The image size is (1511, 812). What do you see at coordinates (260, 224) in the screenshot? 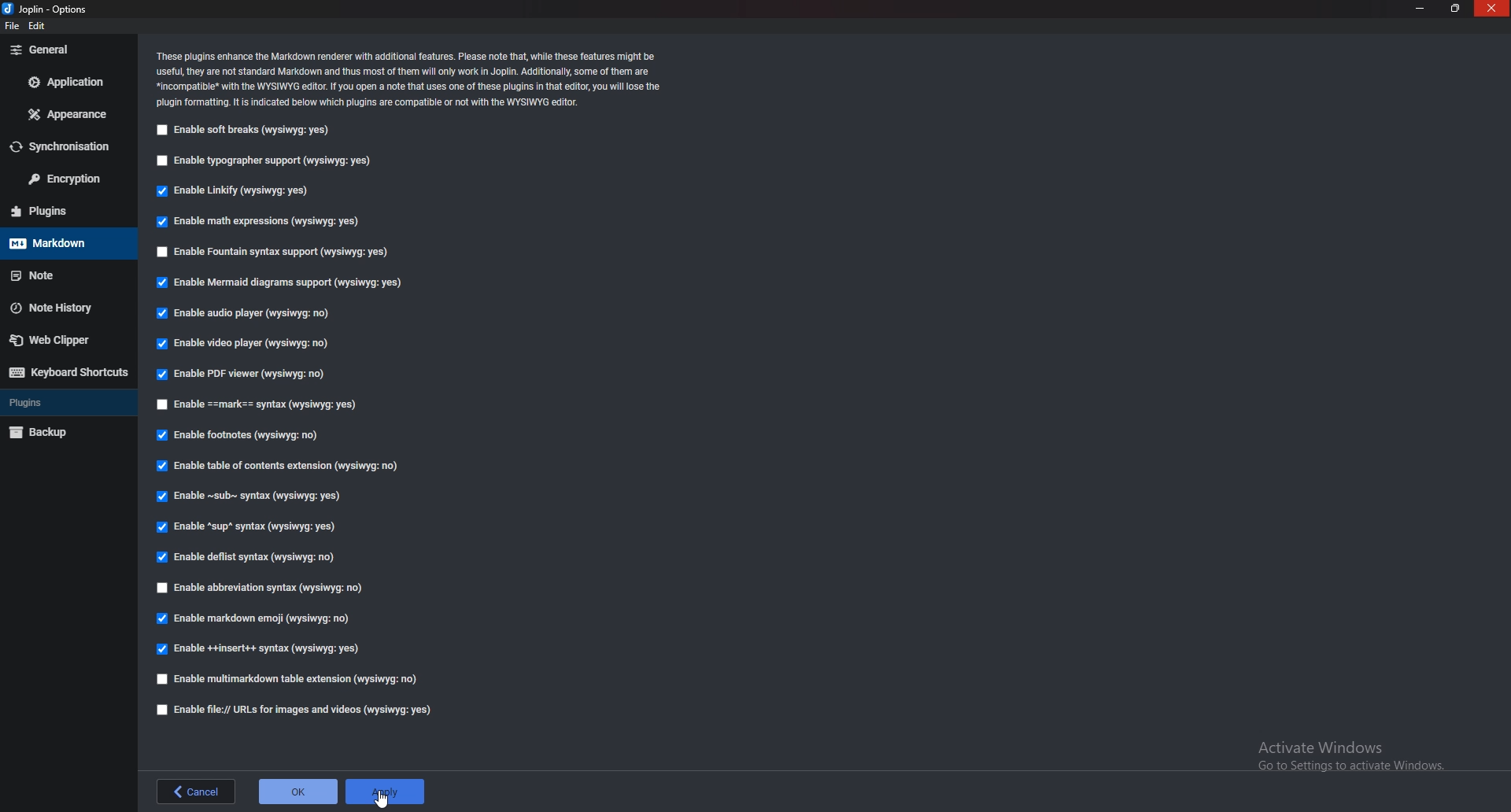
I see `Enable math expressions` at bounding box center [260, 224].